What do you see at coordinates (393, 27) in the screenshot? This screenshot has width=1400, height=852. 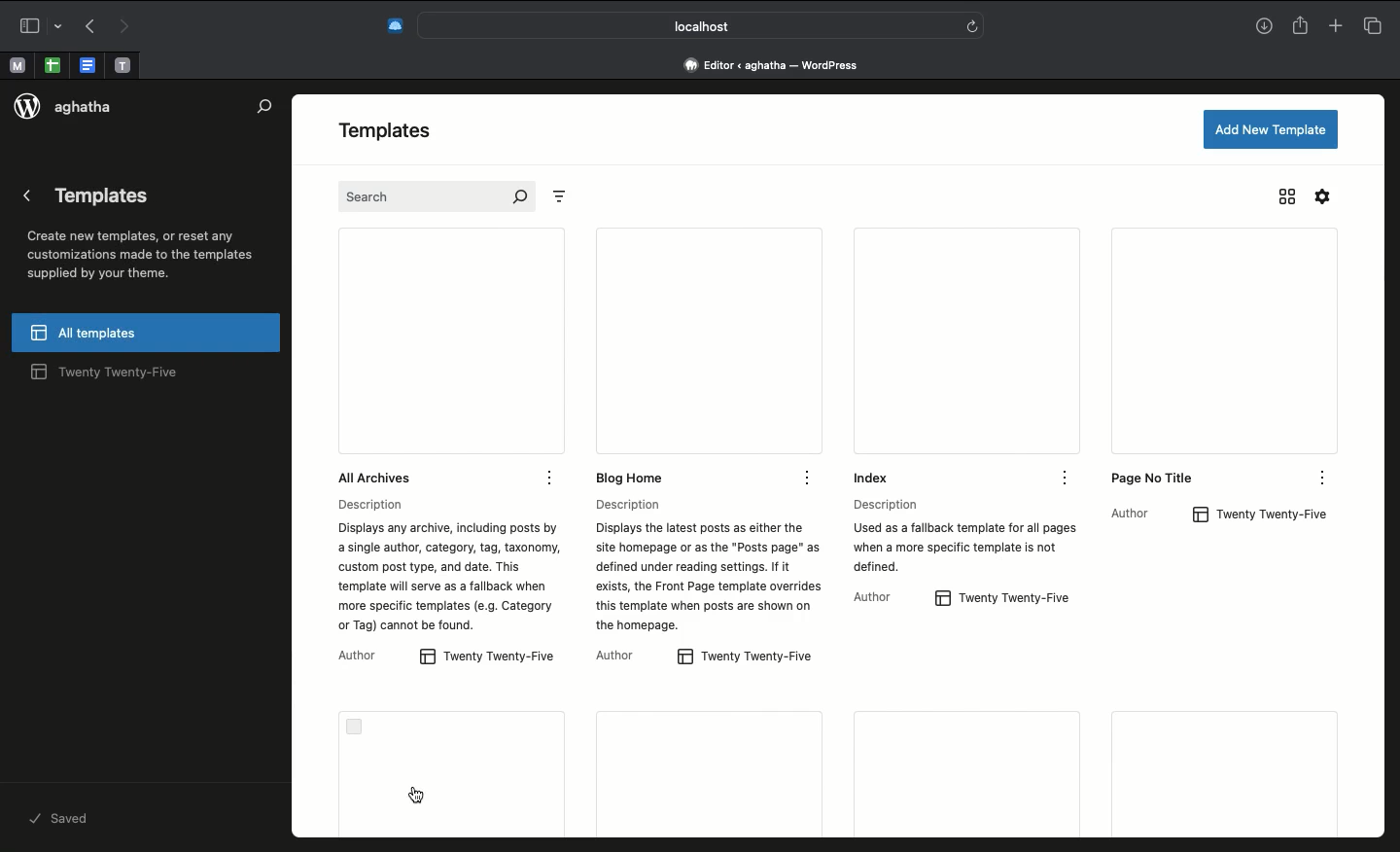 I see `Extensions` at bounding box center [393, 27].